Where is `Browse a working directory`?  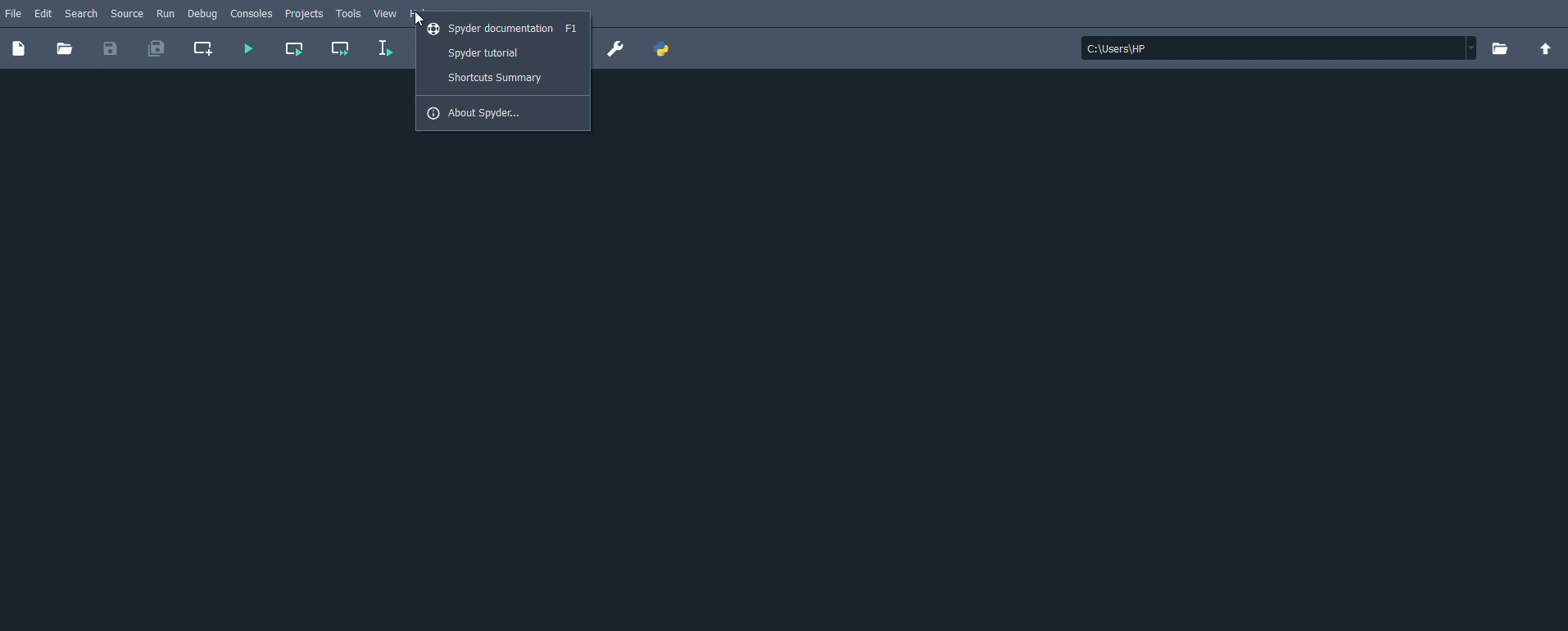
Browse a working directory is located at coordinates (1500, 48).